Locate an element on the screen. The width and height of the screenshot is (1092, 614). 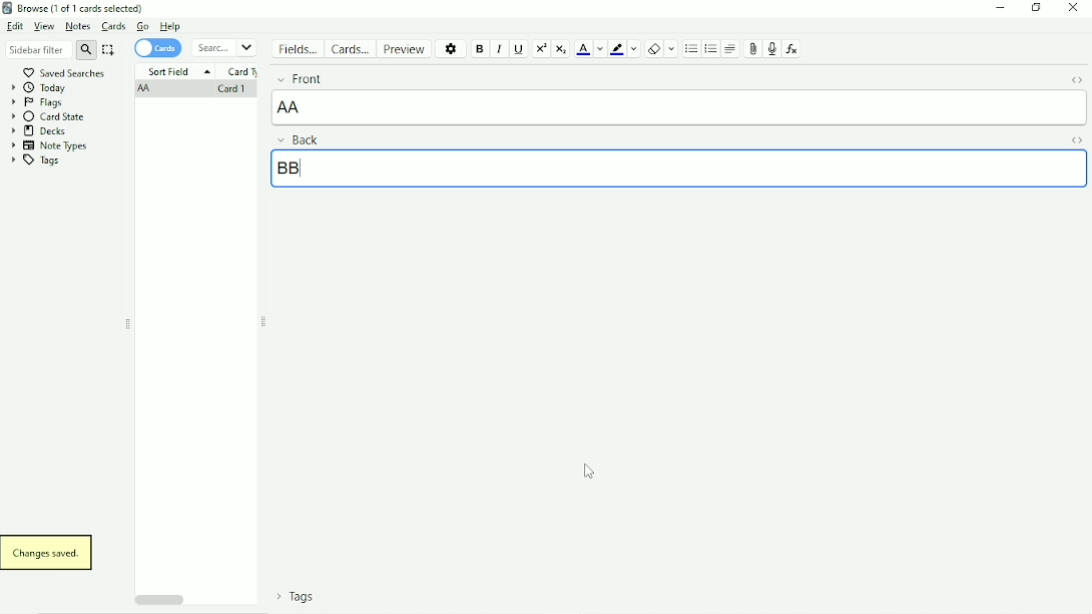
Ordered list is located at coordinates (710, 50).